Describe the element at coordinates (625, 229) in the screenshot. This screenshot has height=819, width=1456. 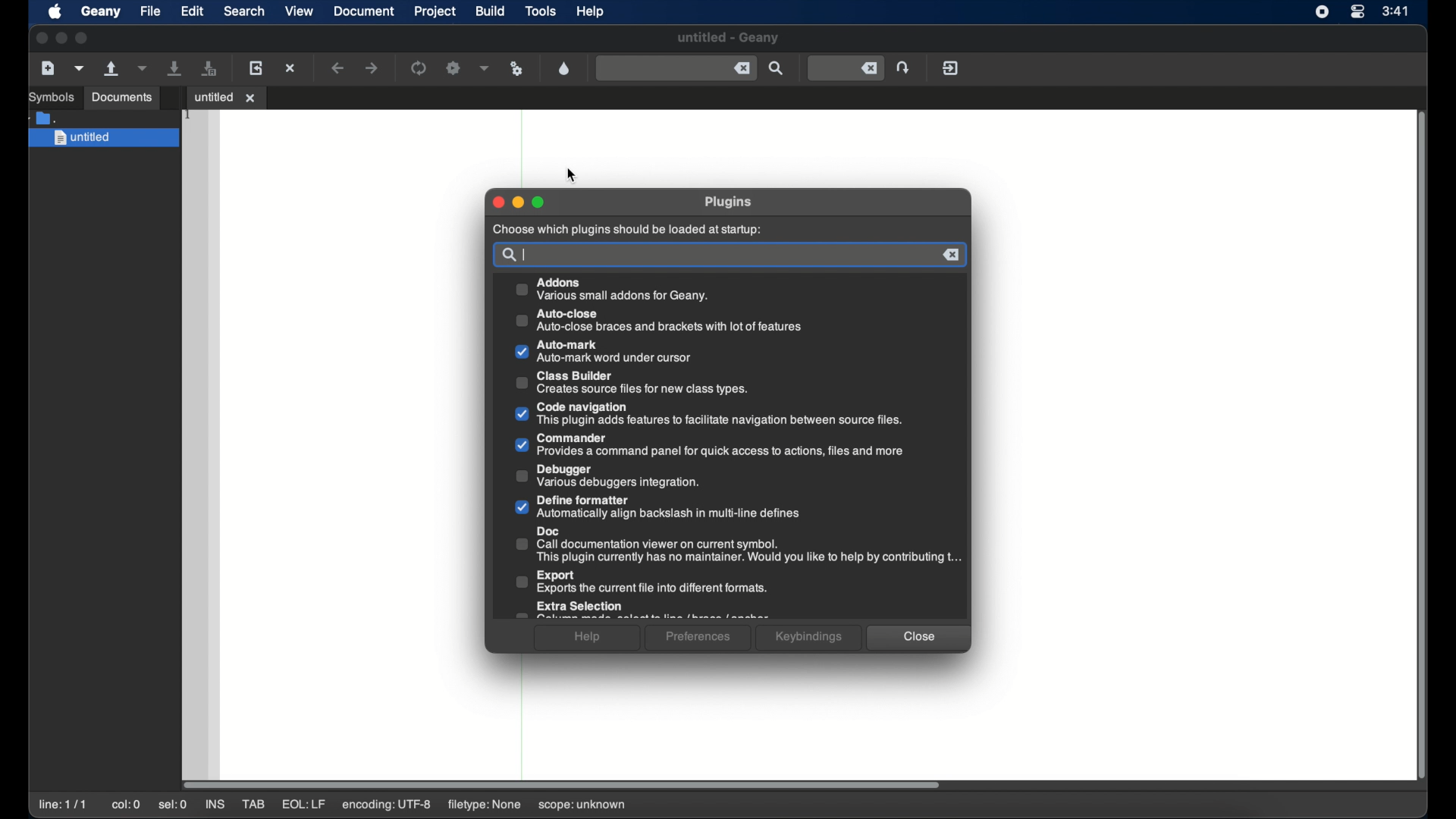
I see `choose which plugins should be loaded at startup` at that location.